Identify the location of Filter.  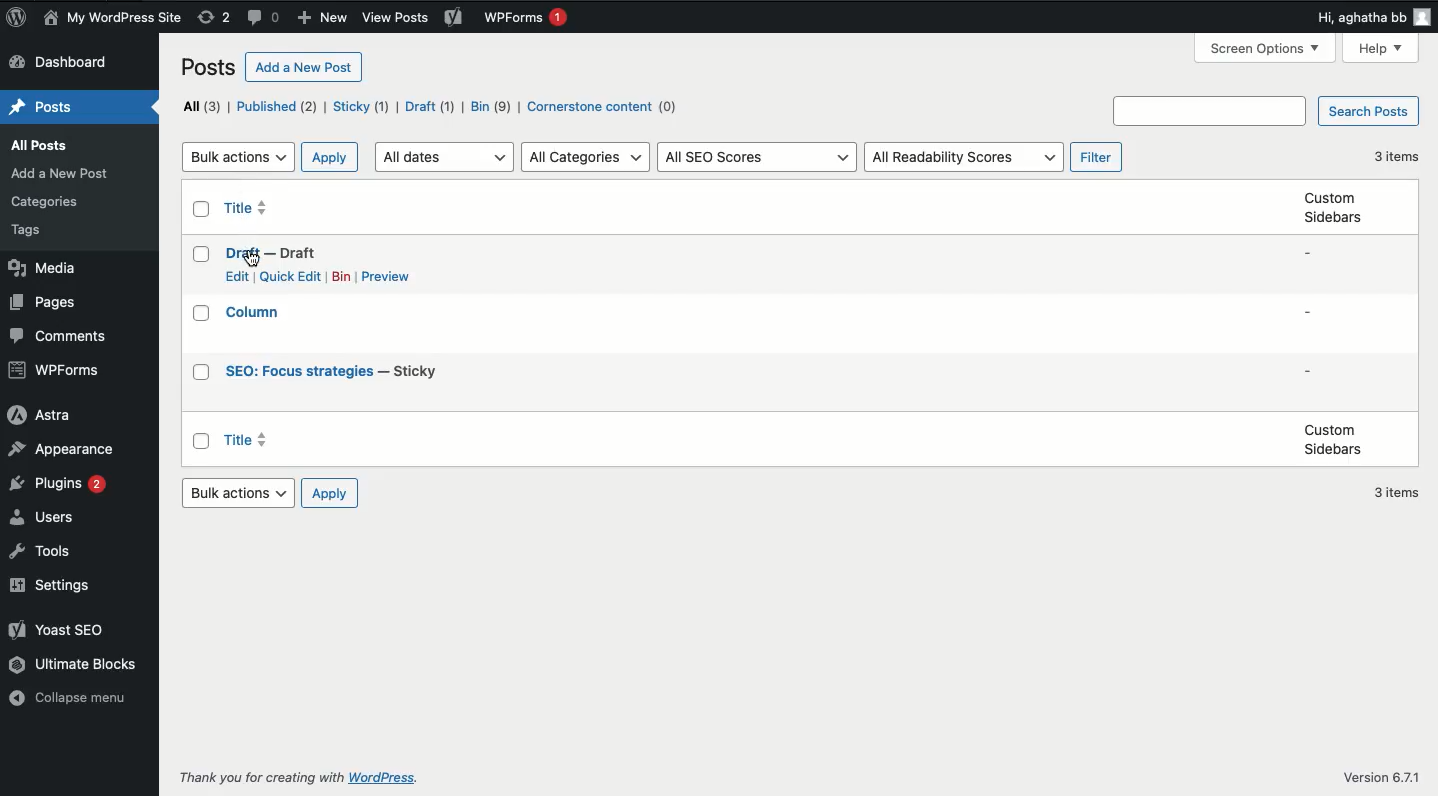
(1096, 158).